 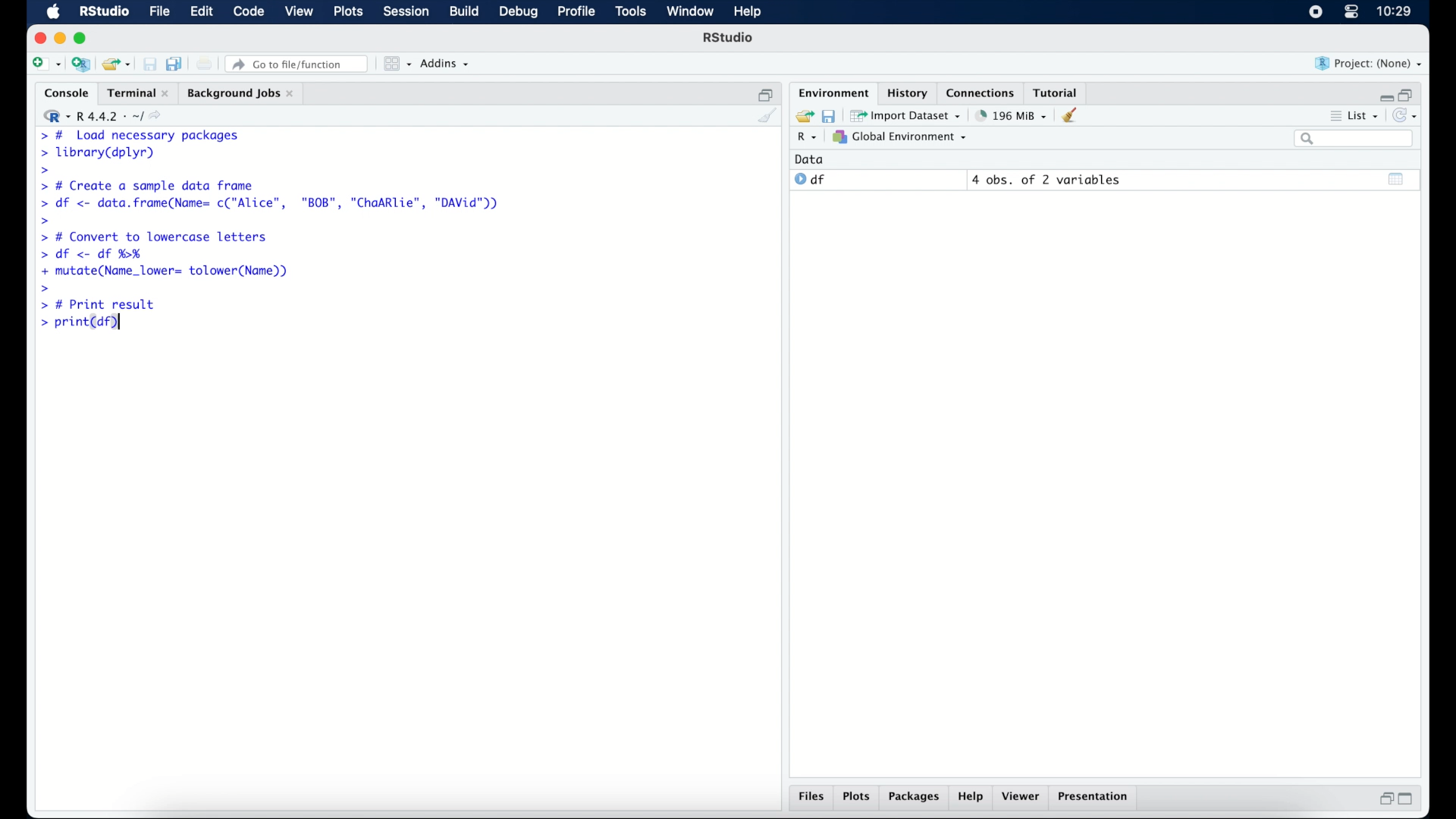 I want to click on R Studio, so click(x=730, y=39).